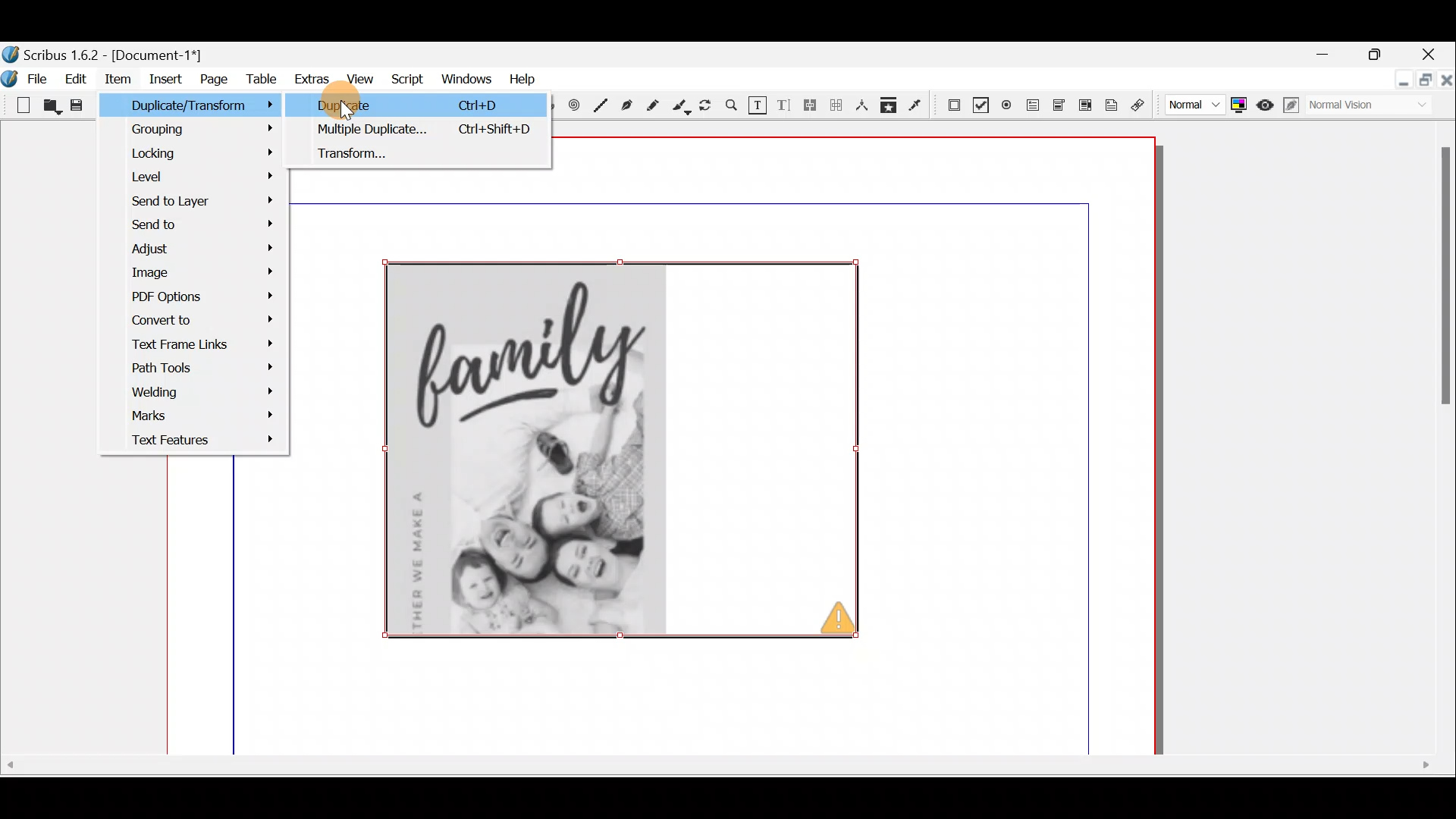 Image resolution: width=1456 pixels, height=819 pixels. What do you see at coordinates (207, 250) in the screenshot?
I see `Adjust` at bounding box center [207, 250].